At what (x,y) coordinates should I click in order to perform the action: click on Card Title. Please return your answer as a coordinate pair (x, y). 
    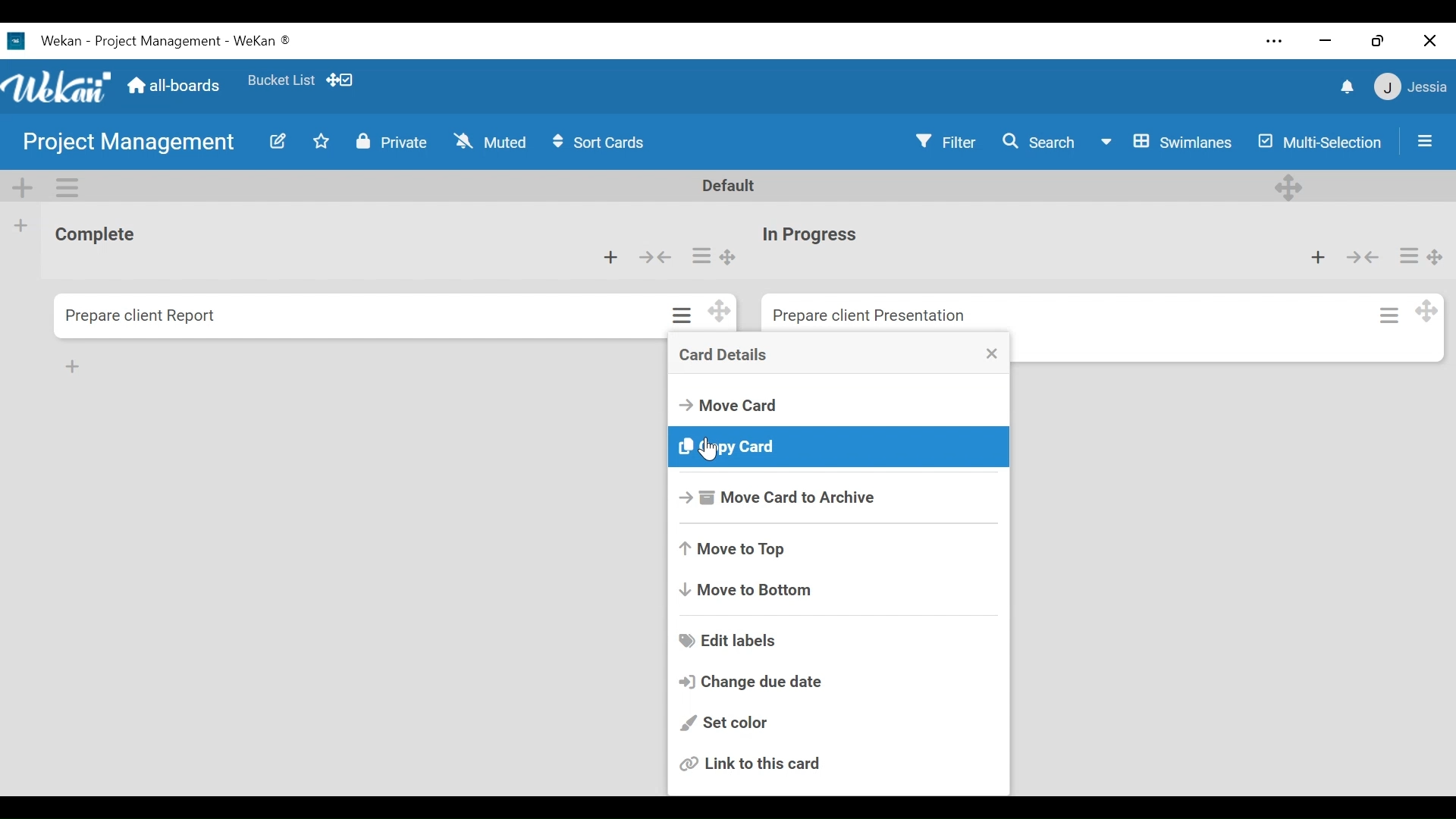
    Looking at the image, I should click on (876, 315).